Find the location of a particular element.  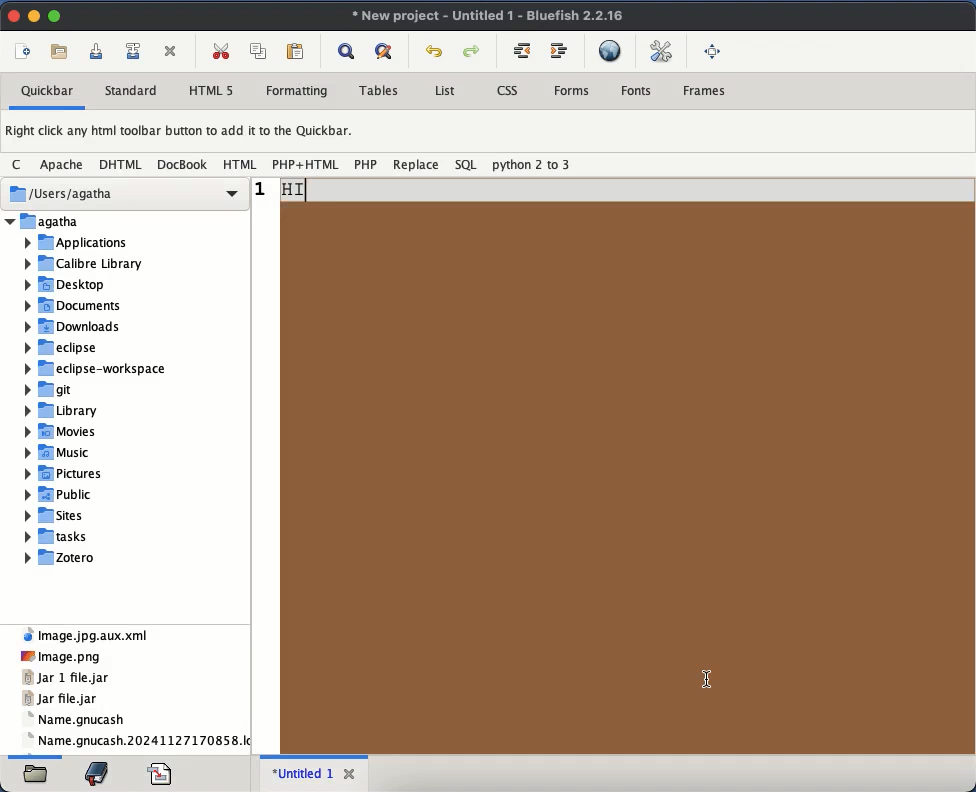

undo is located at coordinates (435, 50).